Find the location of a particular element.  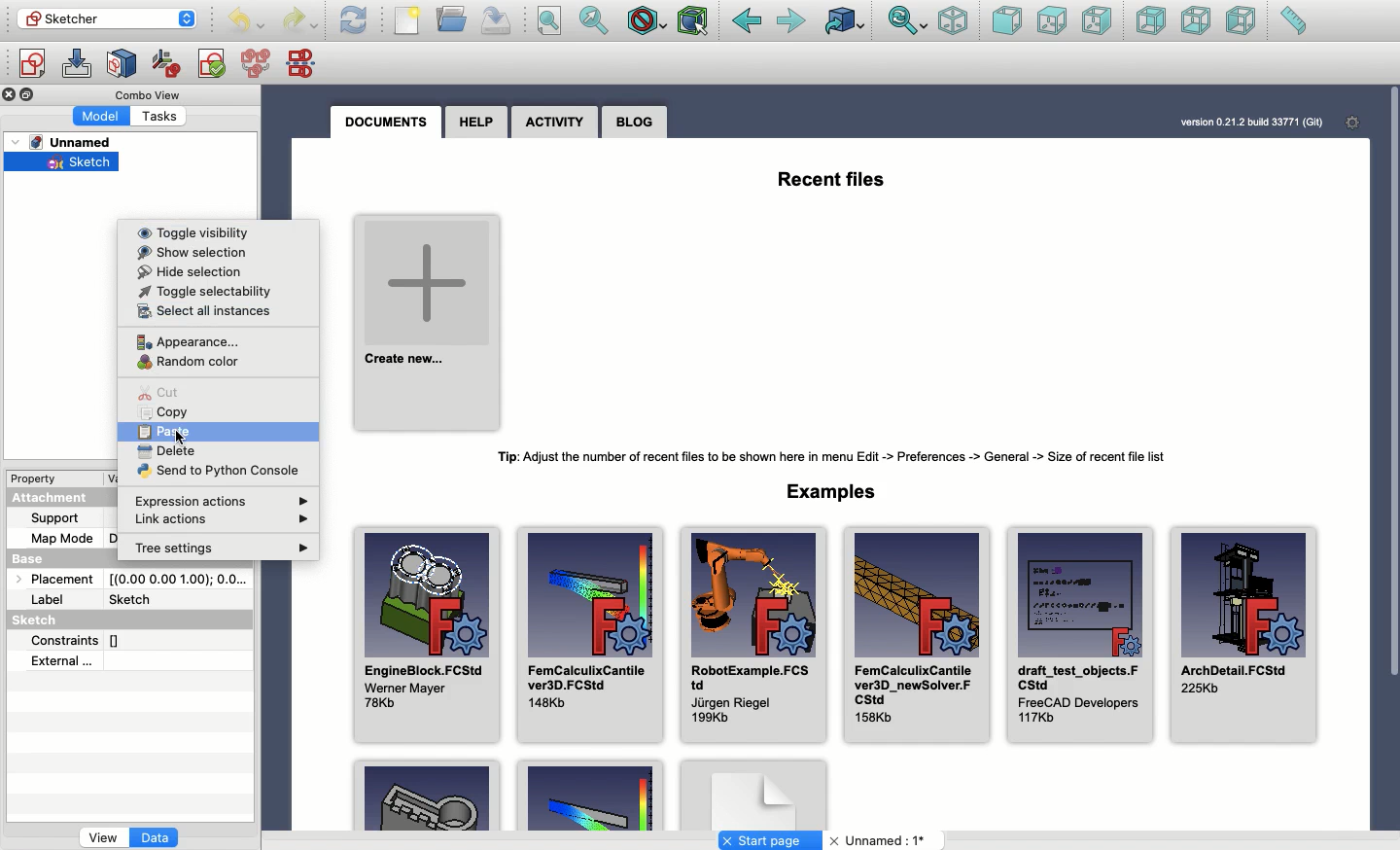

Undo is located at coordinates (246, 22).